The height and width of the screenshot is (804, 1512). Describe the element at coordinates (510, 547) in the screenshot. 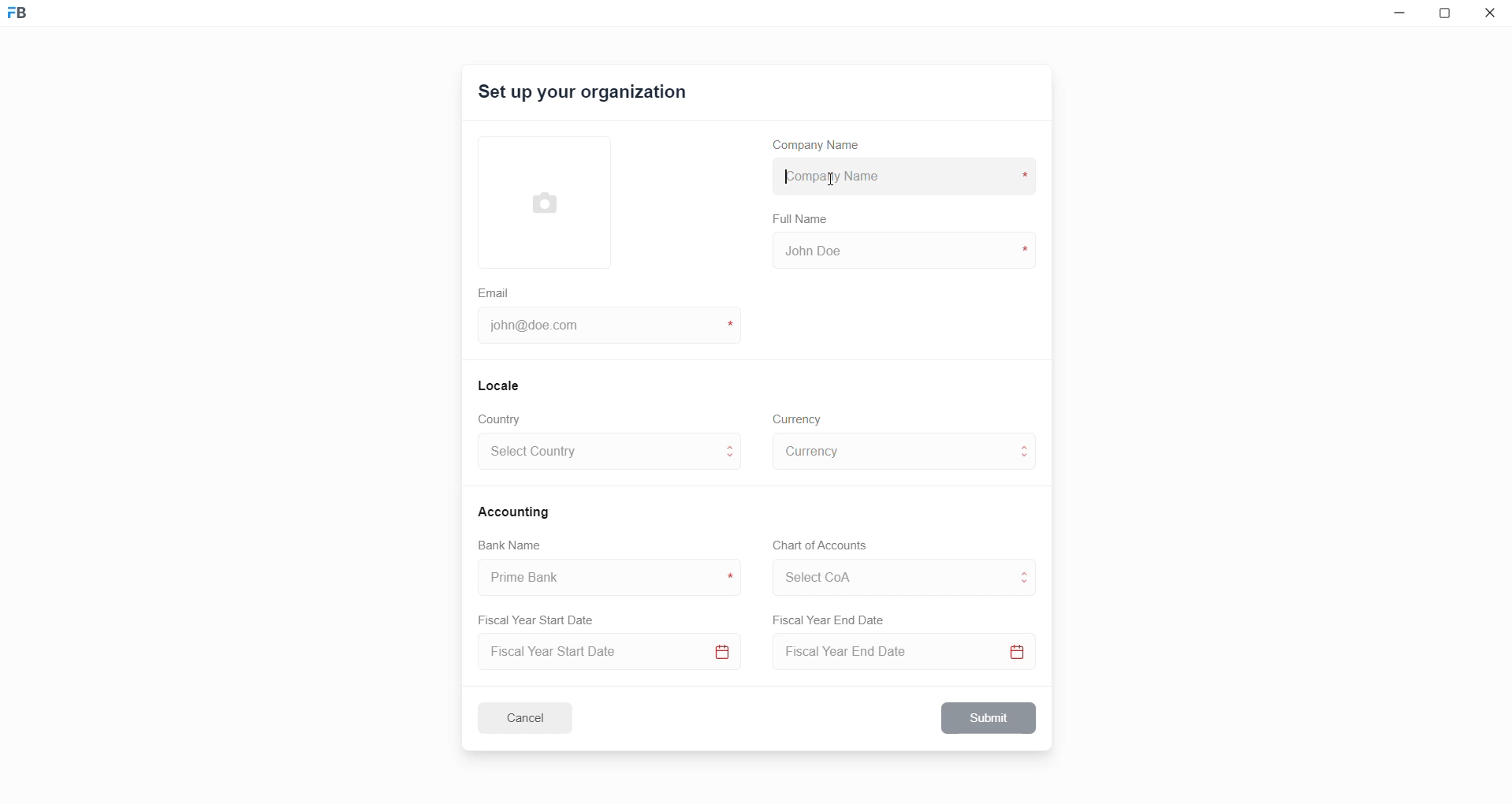

I see `Bank Name` at that location.